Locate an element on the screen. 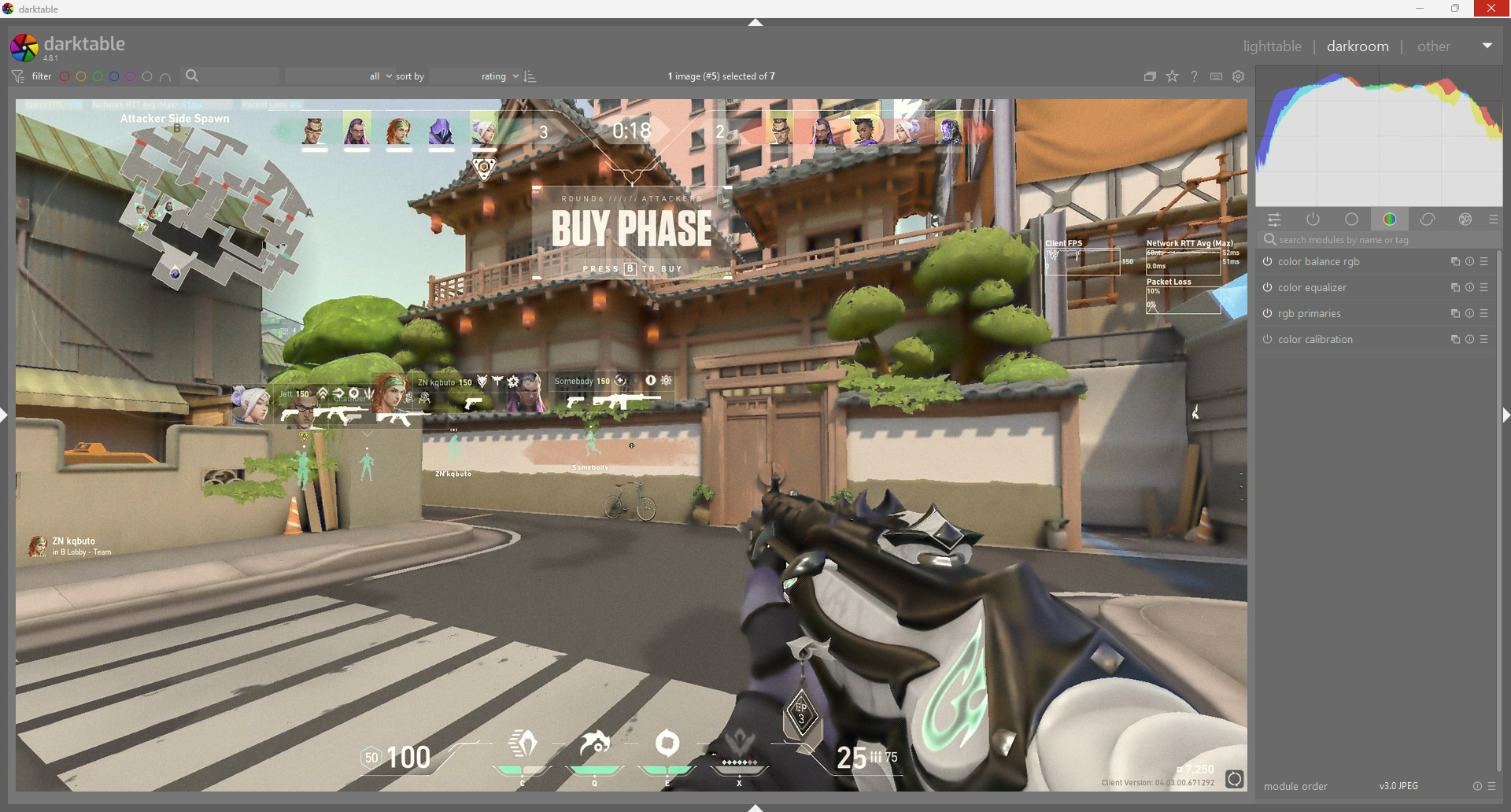 This screenshot has height=812, width=1511. color balance rgb is located at coordinates (1321, 262).